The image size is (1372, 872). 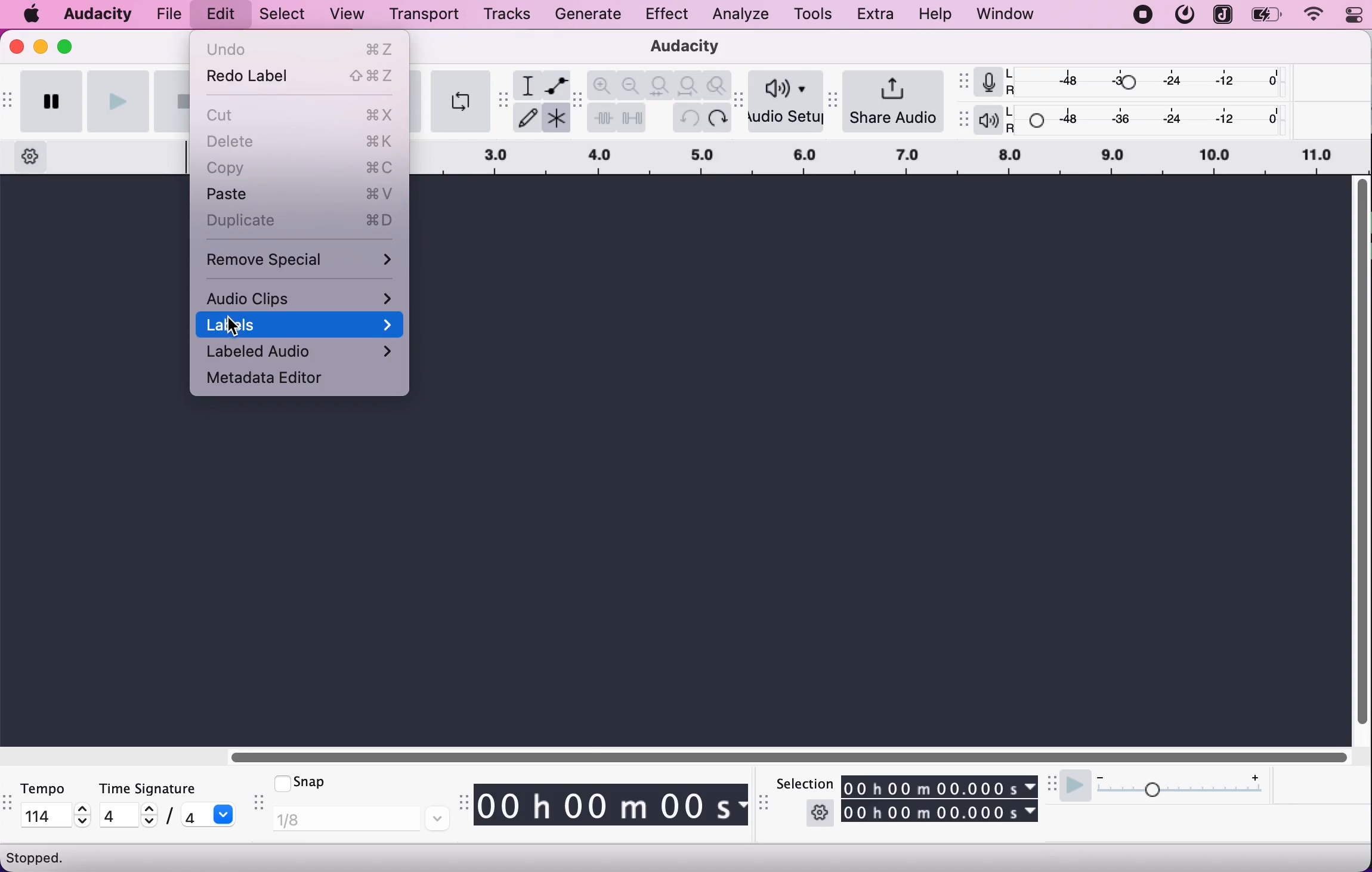 What do you see at coordinates (717, 86) in the screenshot?
I see `zoom toggle` at bounding box center [717, 86].